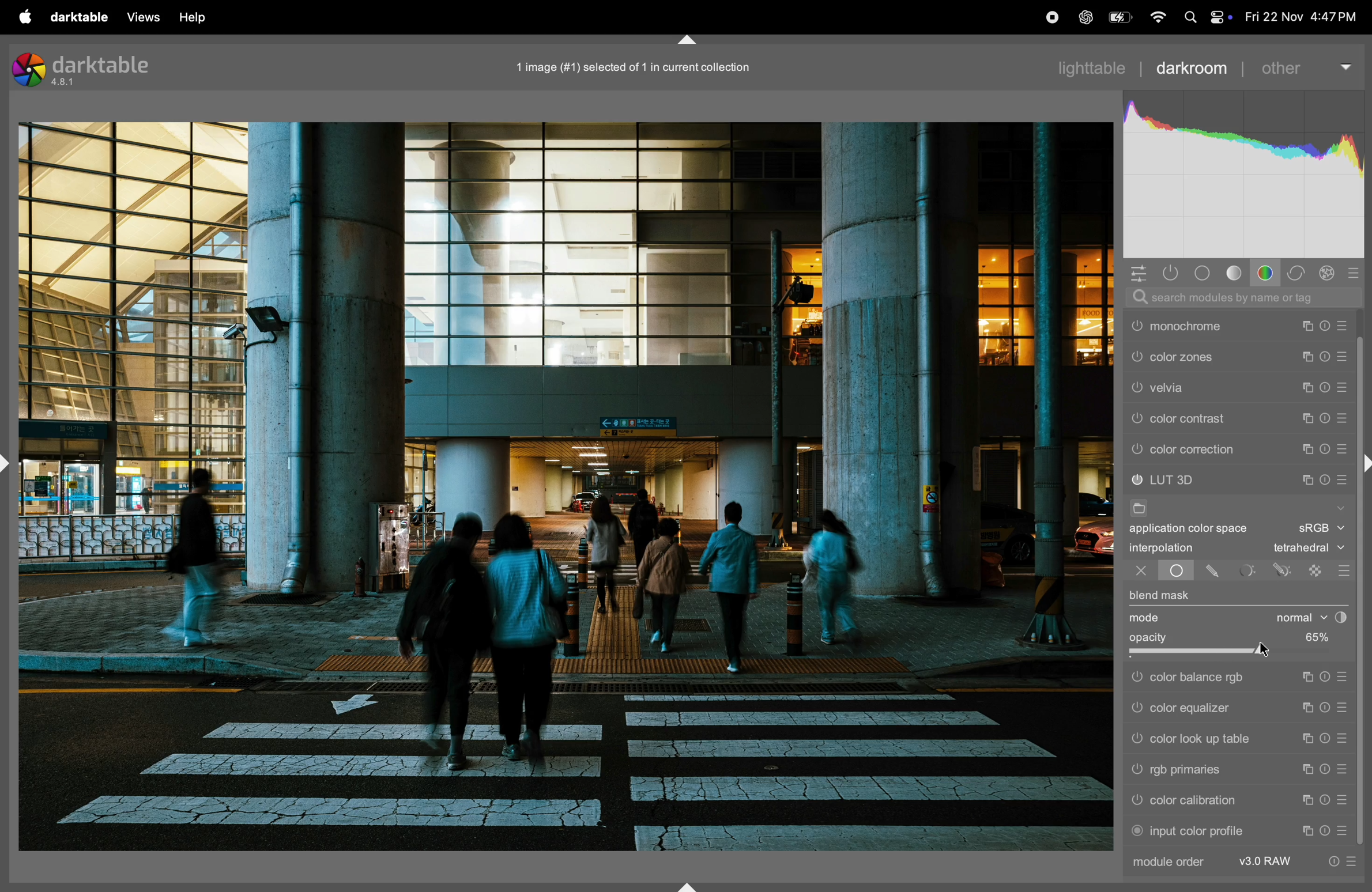 The height and width of the screenshot is (892, 1372). I want to click on spotlight search, so click(1189, 16).